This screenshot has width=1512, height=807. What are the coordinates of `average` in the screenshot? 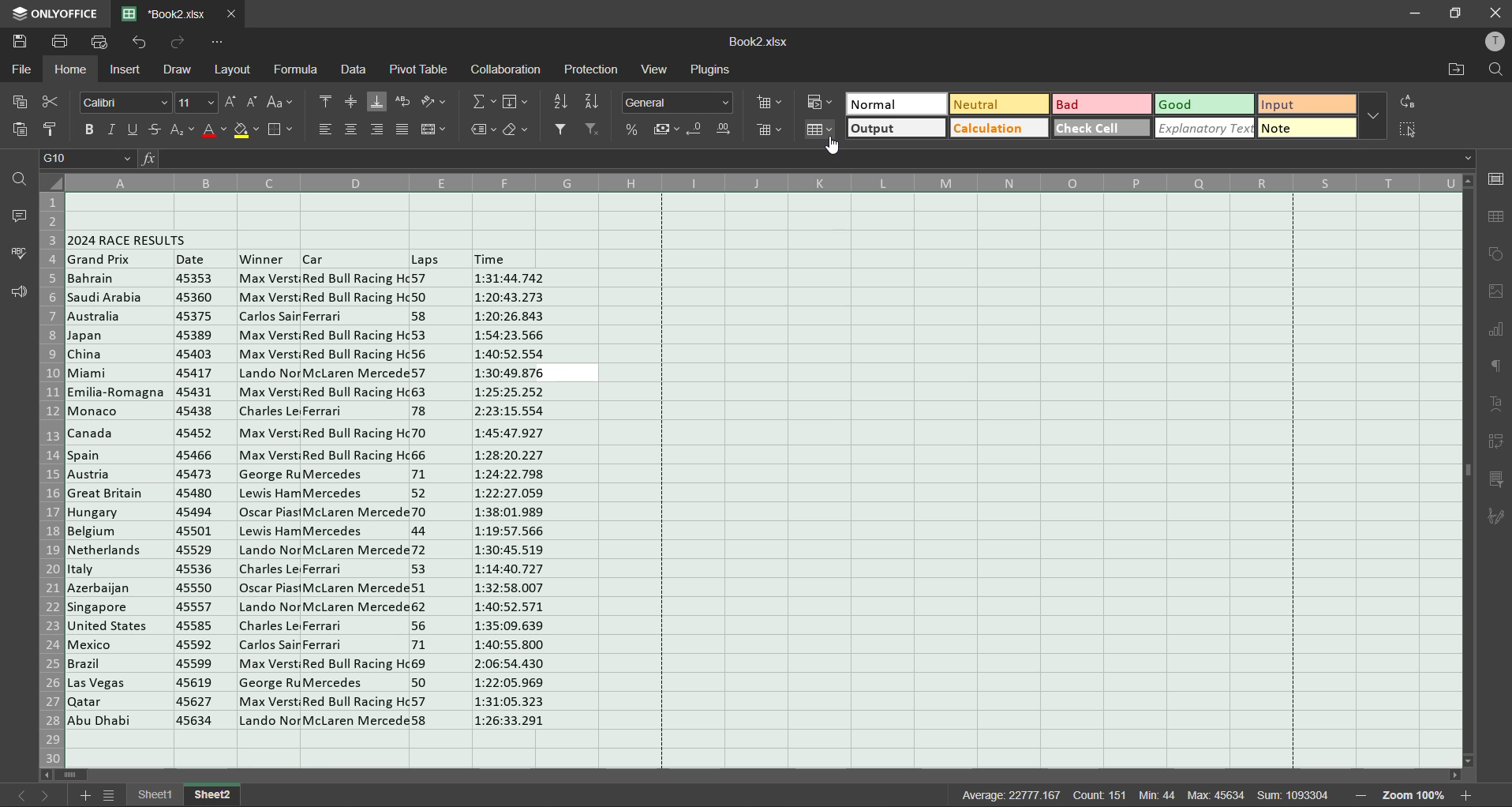 It's located at (1011, 794).